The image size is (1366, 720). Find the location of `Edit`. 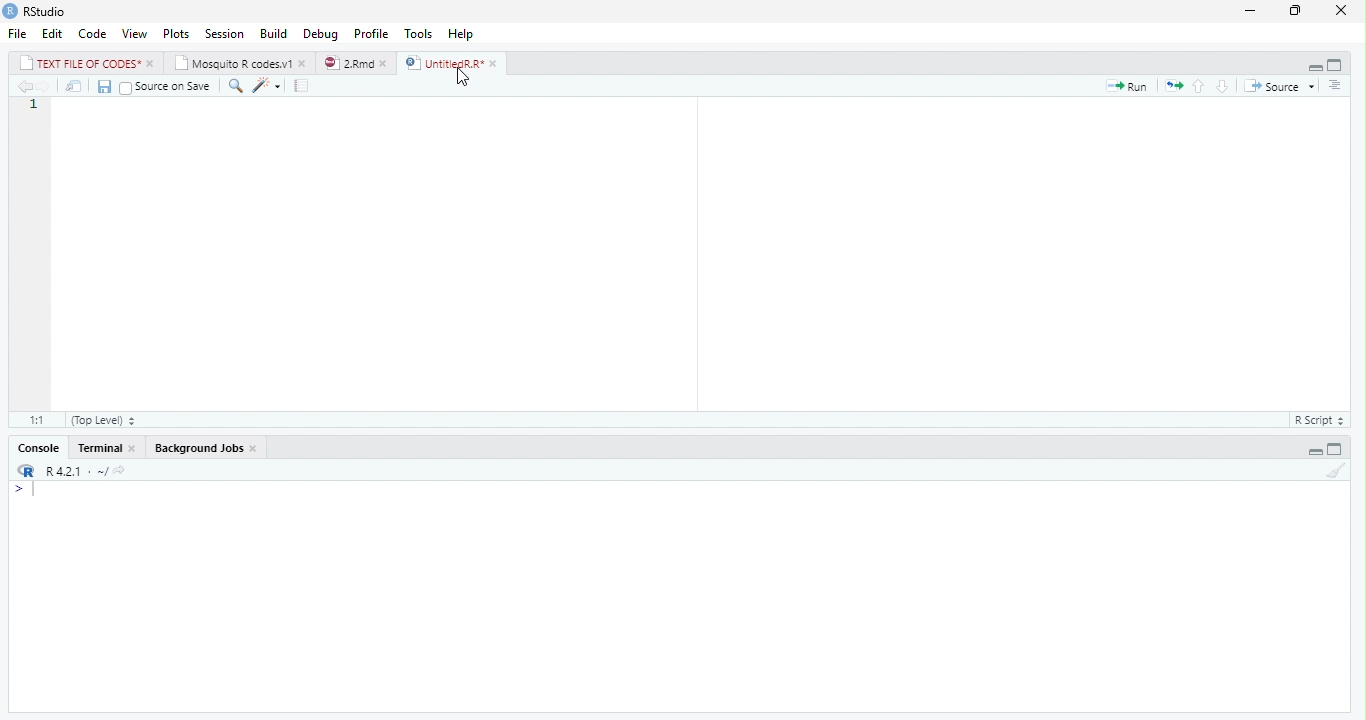

Edit is located at coordinates (53, 33).